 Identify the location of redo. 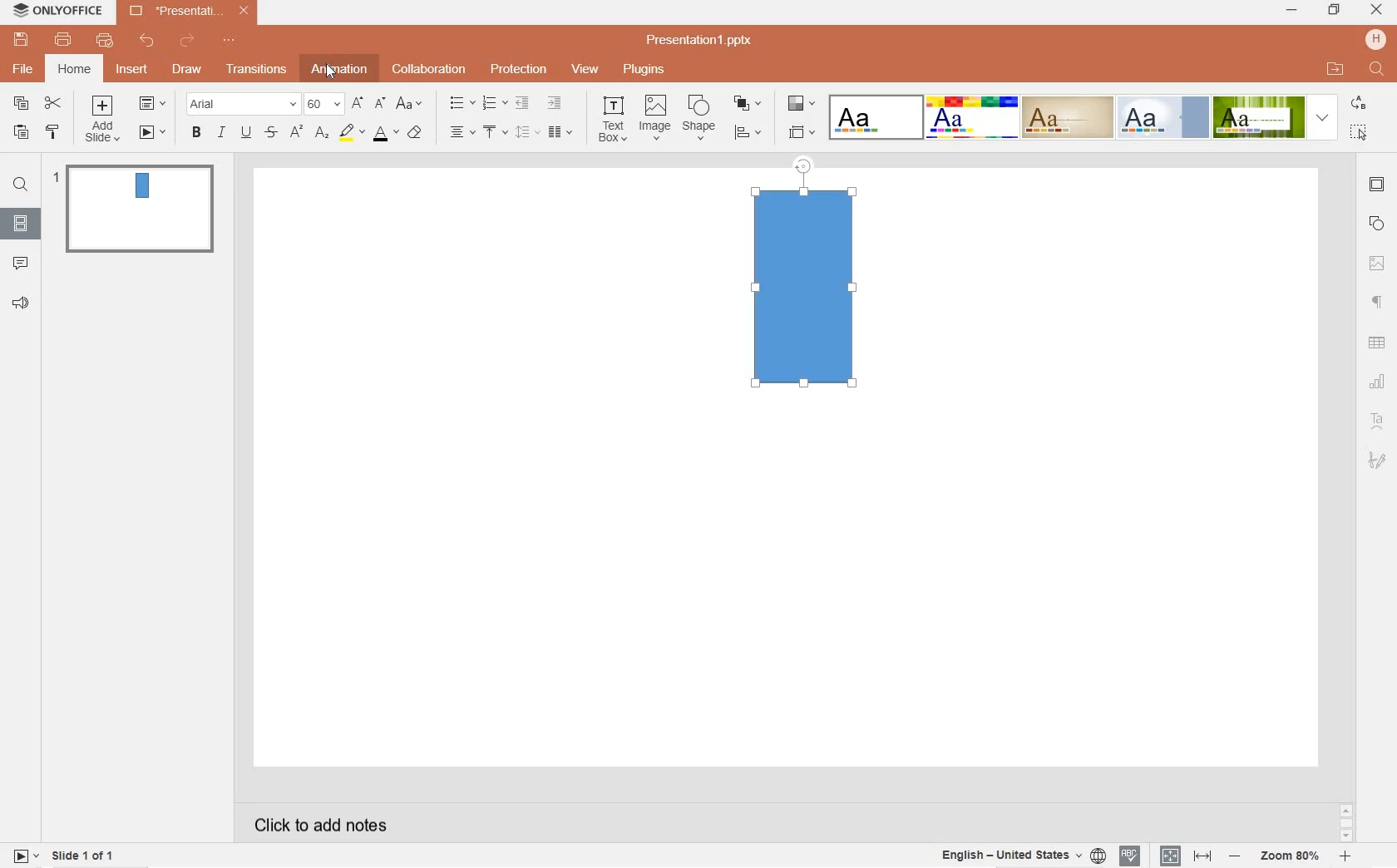
(188, 42).